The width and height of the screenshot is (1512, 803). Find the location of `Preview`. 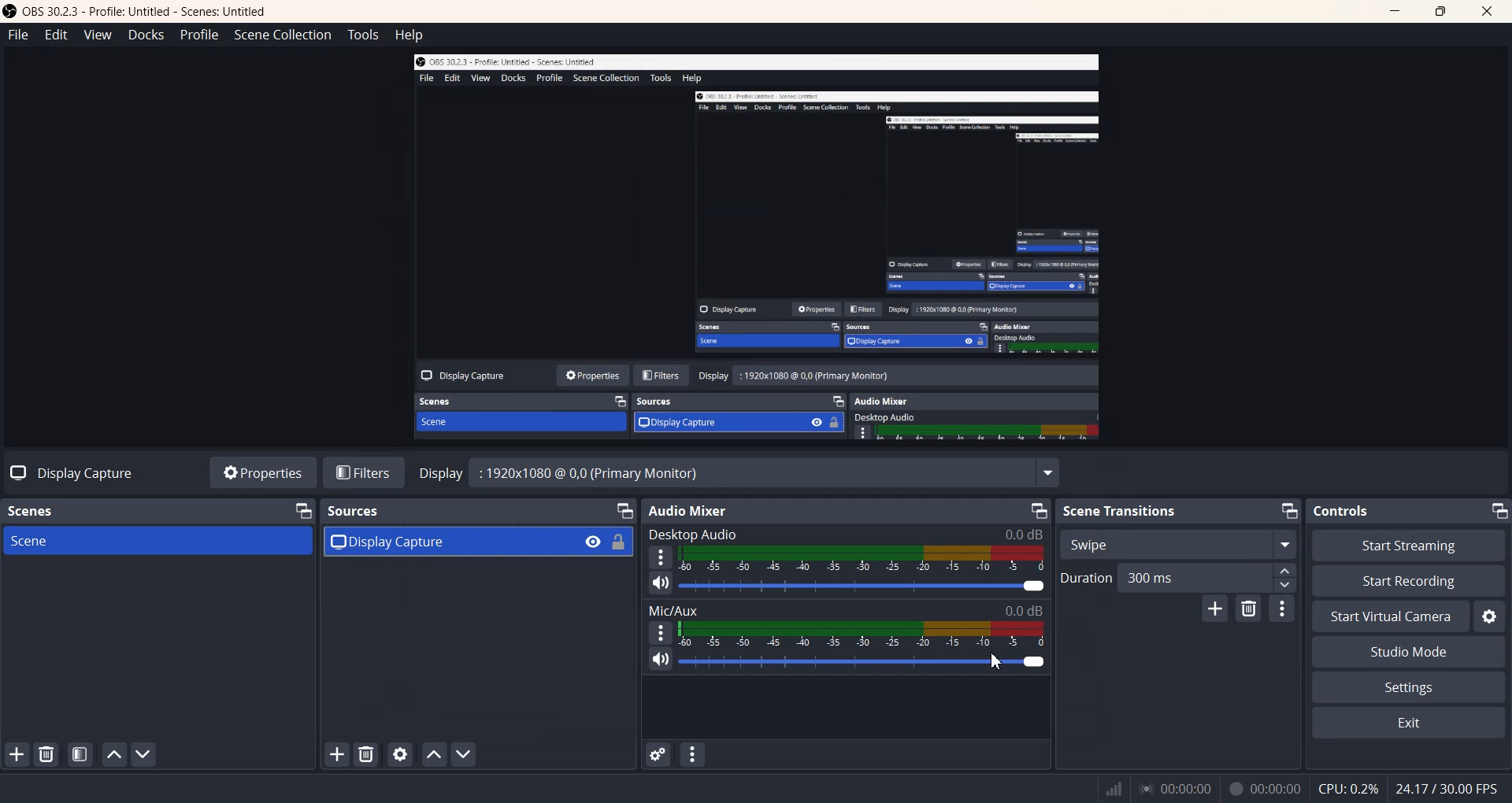

Preview is located at coordinates (748, 247).